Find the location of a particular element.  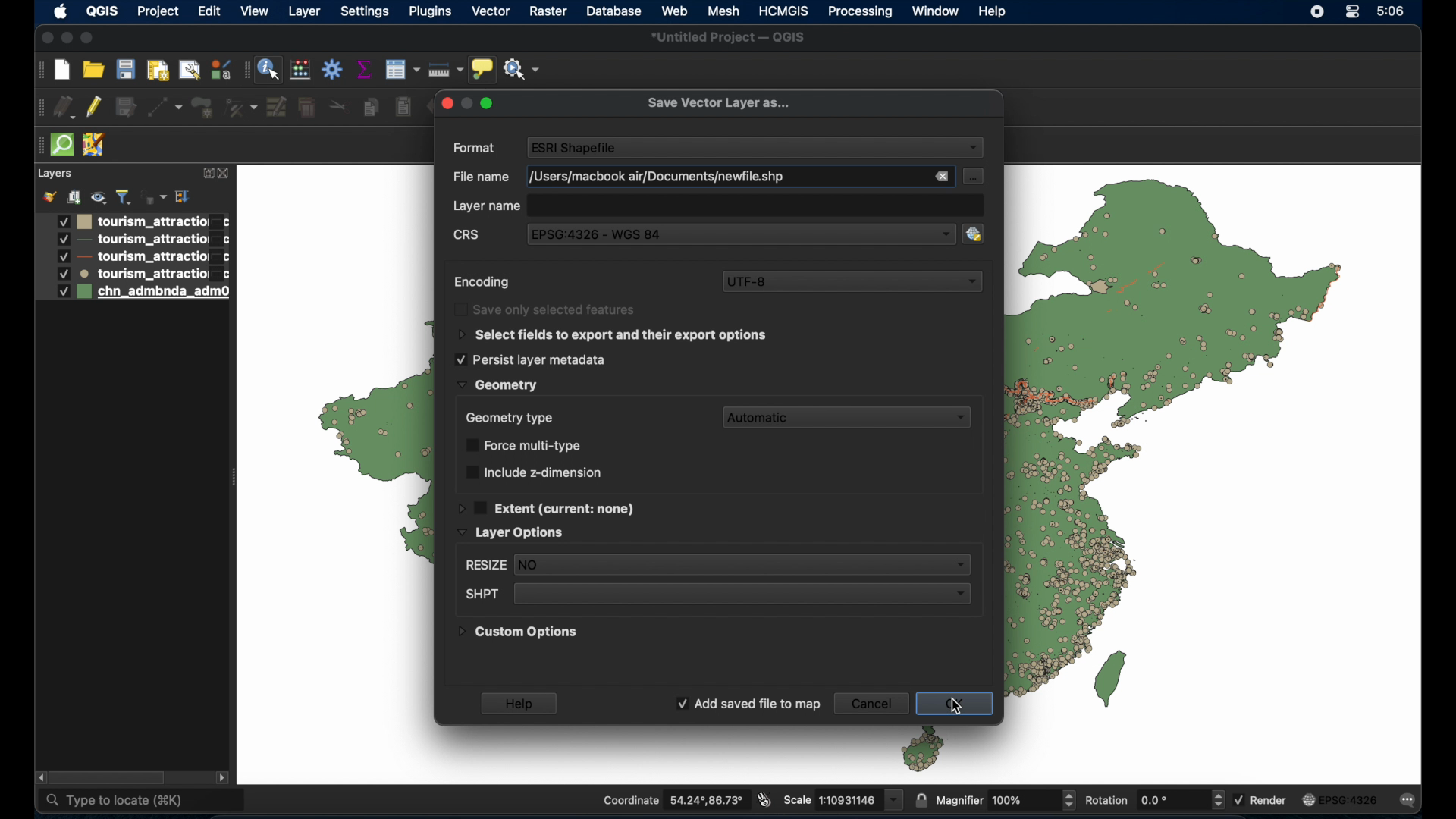

show map tips is located at coordinates (483, 69).